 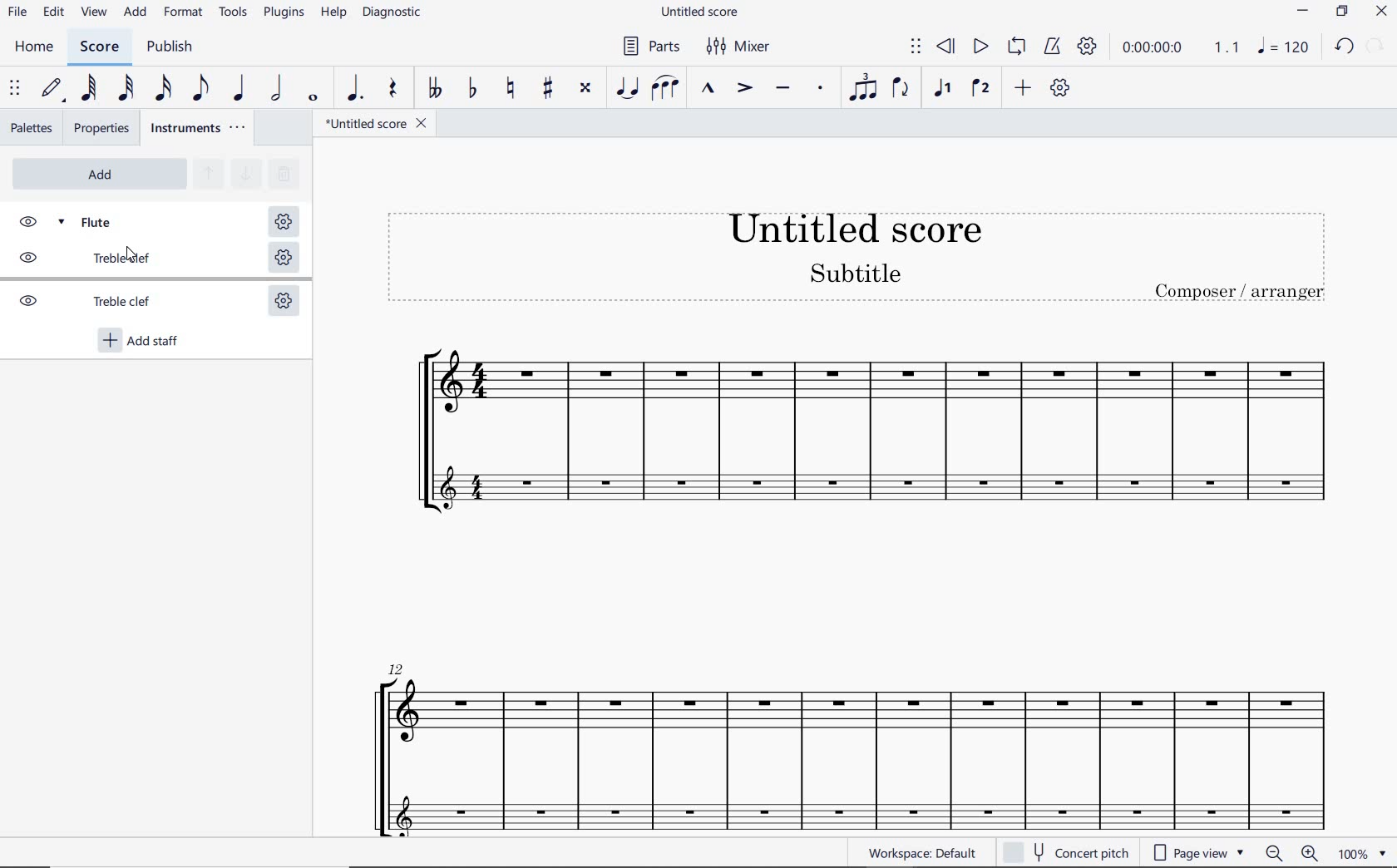 What do you see at coordinates (132, 253) in the screenshot?
I see `cursor` at bounding box center [132, 253].